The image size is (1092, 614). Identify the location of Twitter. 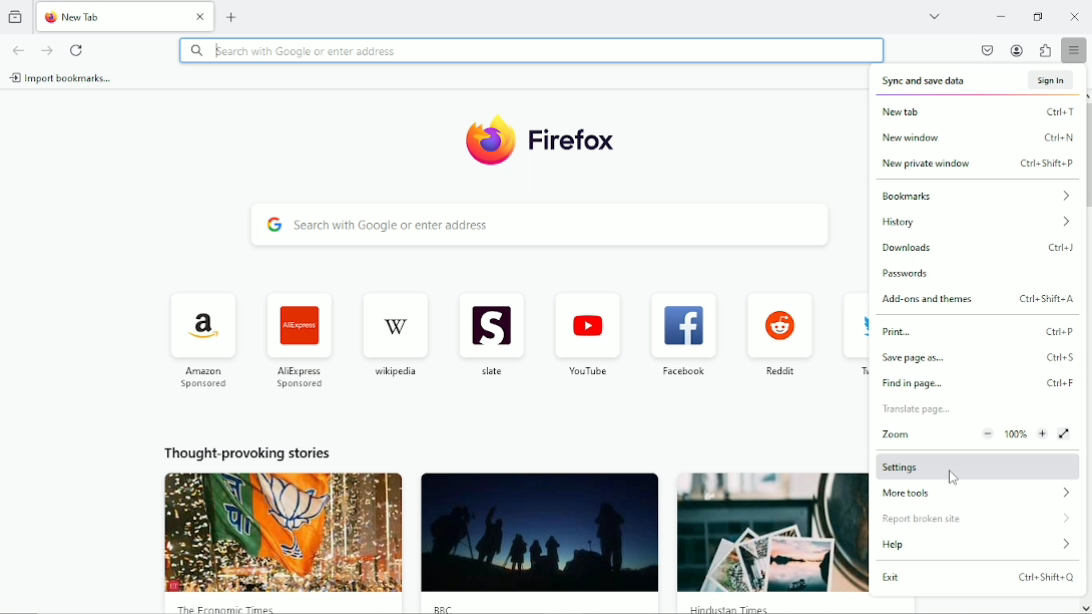
(852, 337).